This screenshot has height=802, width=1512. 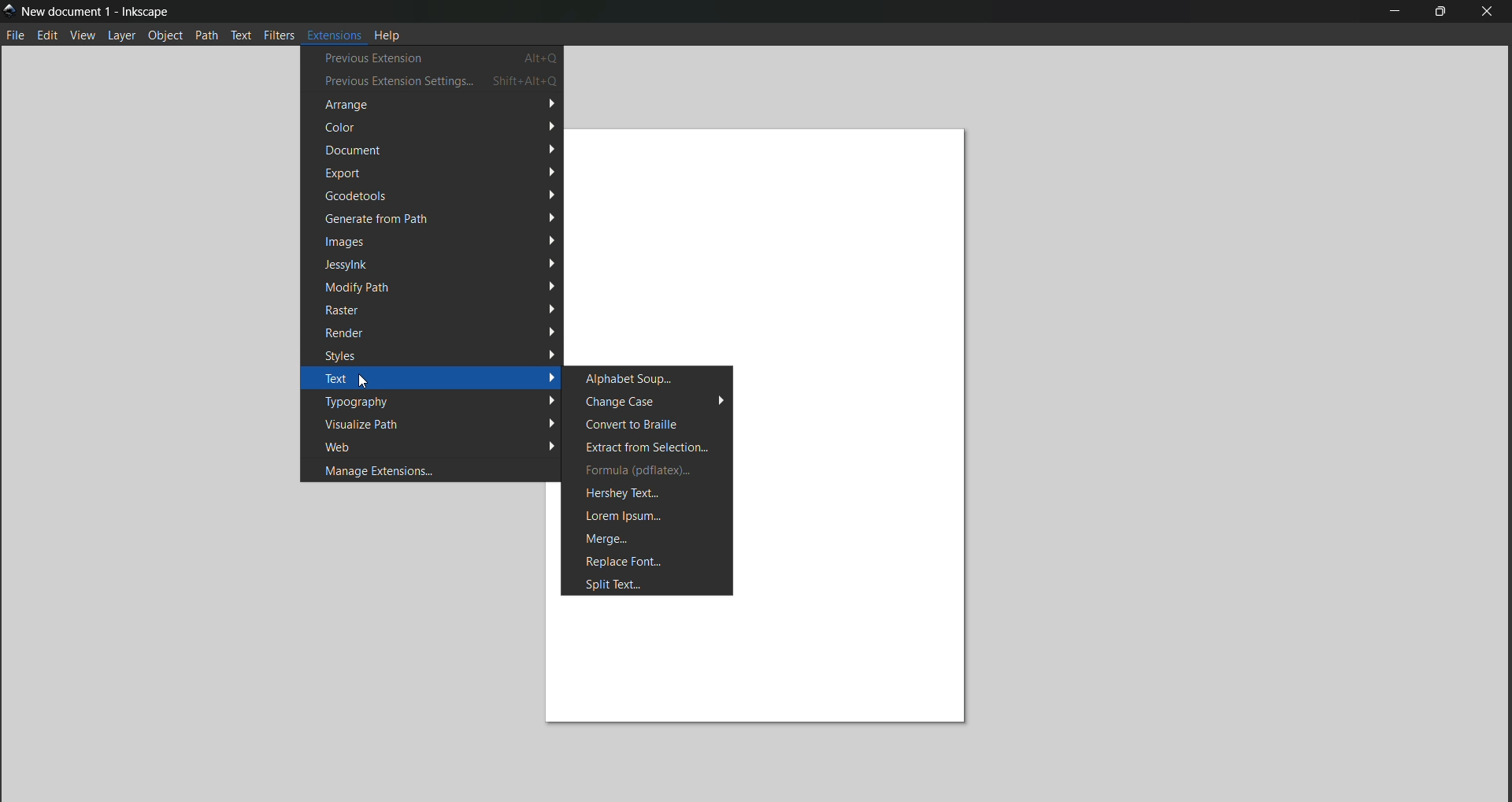 What do you see at coordinates (648, 538) in the screenshot?
I see `Merge` at bounding box center [648, 538].